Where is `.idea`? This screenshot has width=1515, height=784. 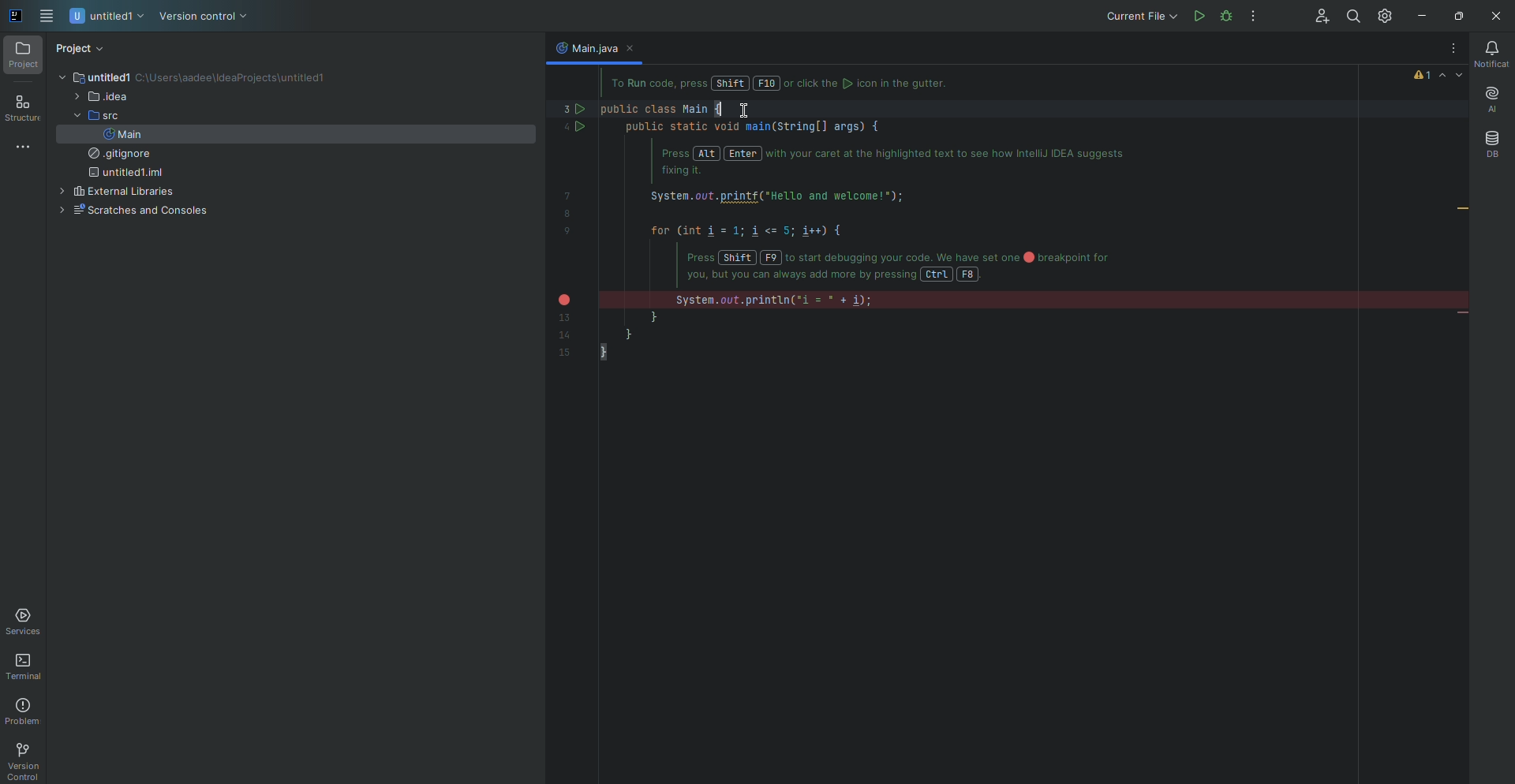 .idea is located at coordinates (100, 98).